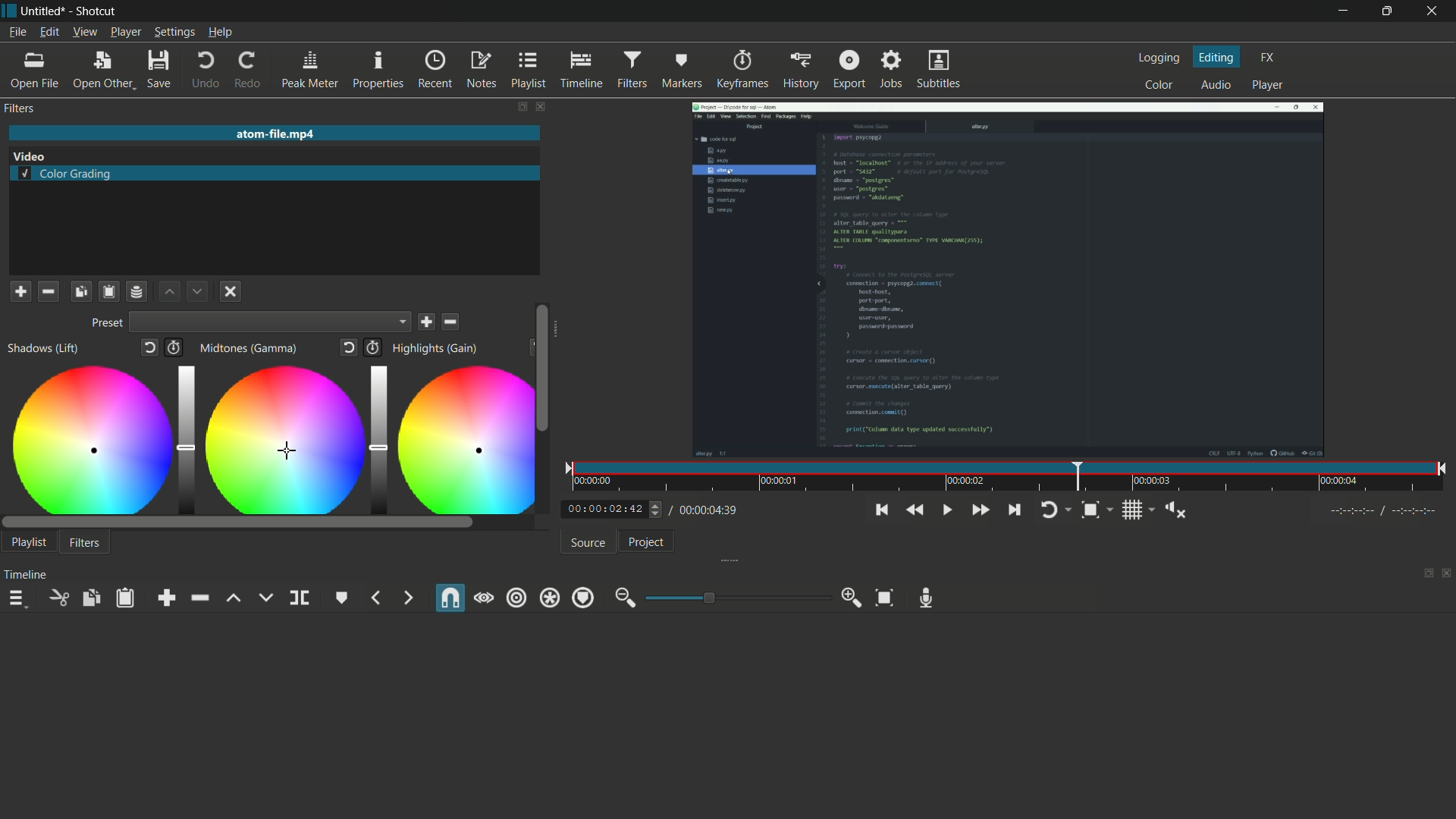  What do you see at coordinates (19, 108) in the screenshot?
I see `filters` at bounding box center [19, 108].